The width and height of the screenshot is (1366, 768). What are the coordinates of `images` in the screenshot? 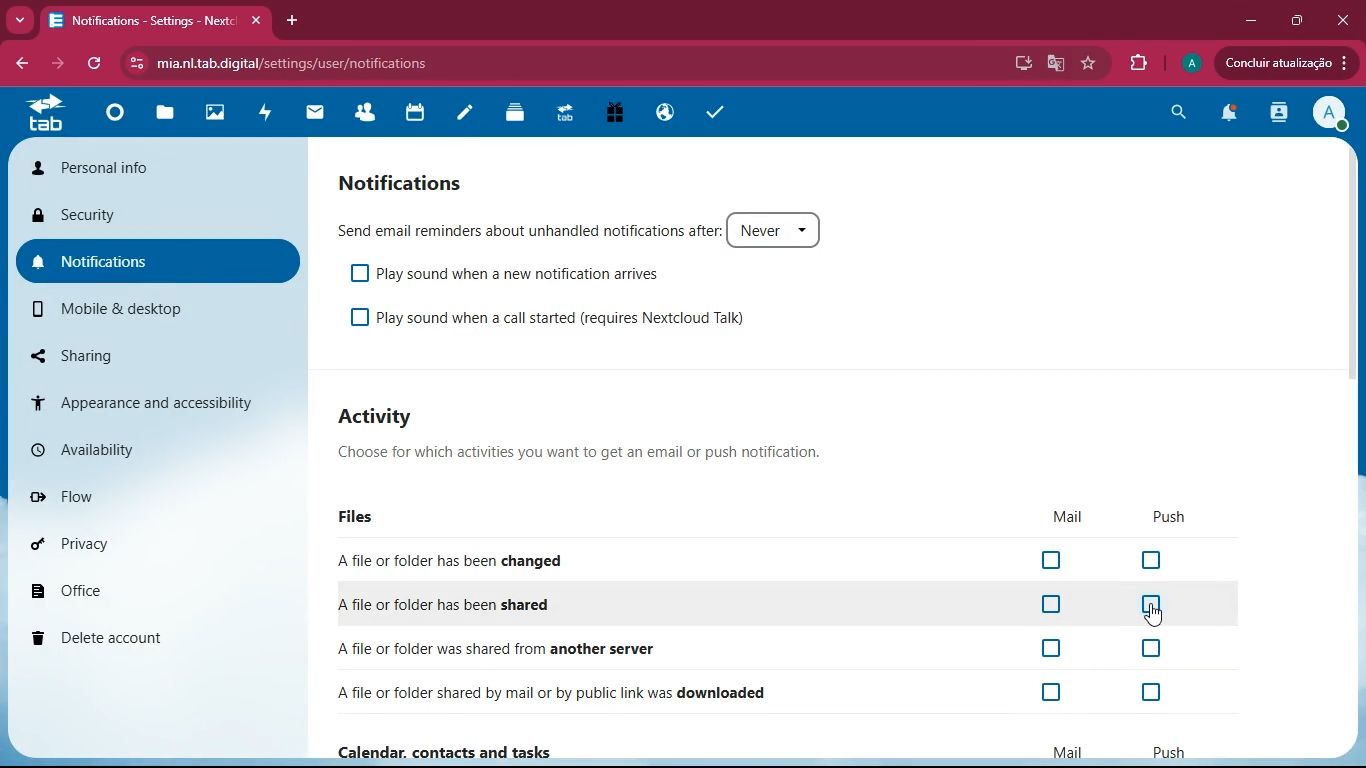 It's located at (210, 115).